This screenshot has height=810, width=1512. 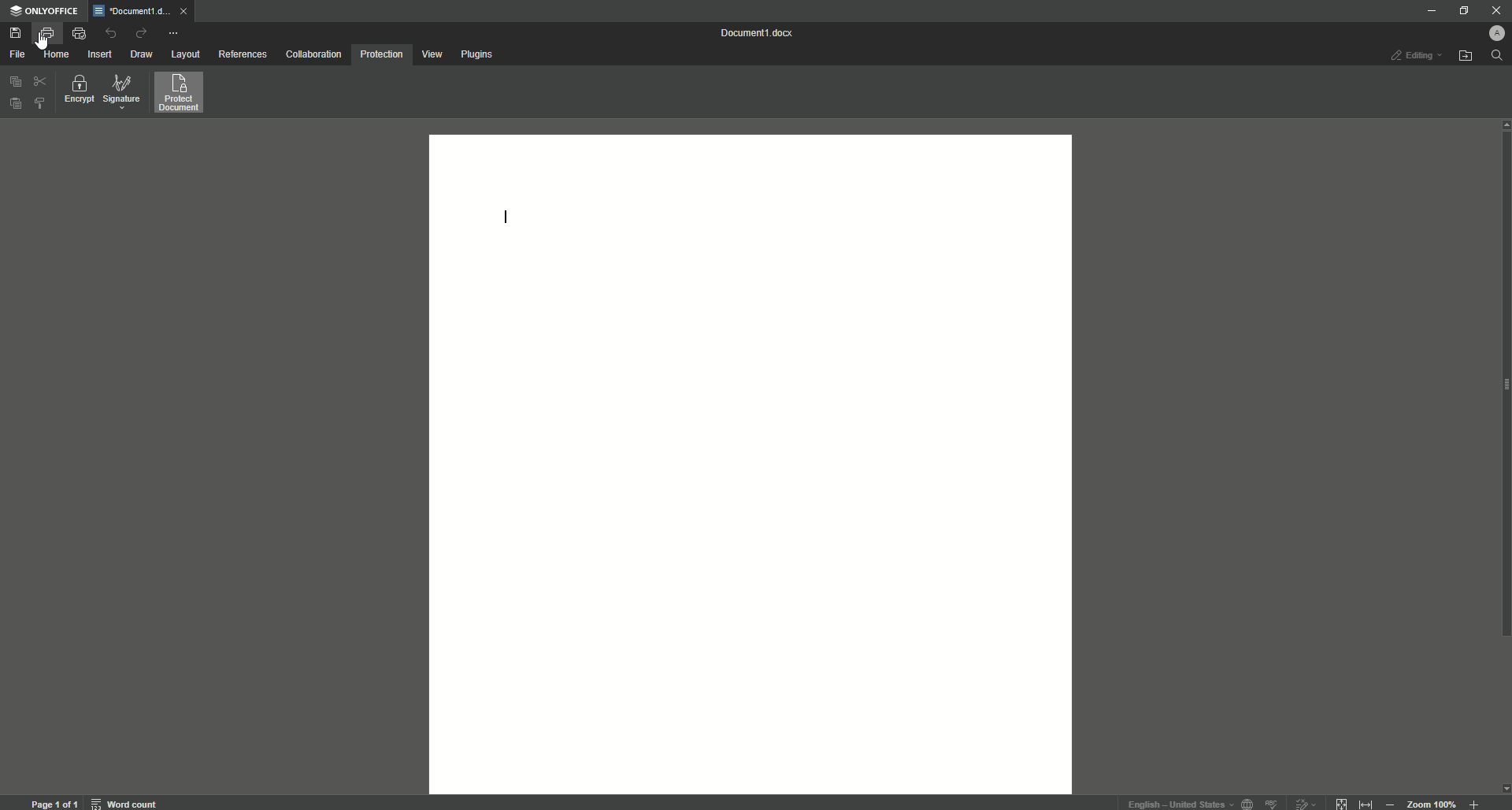 What do you see at coordinates (1249, 803) in the screenshot?
I see `set document language` at bounding box center [1249, 803].